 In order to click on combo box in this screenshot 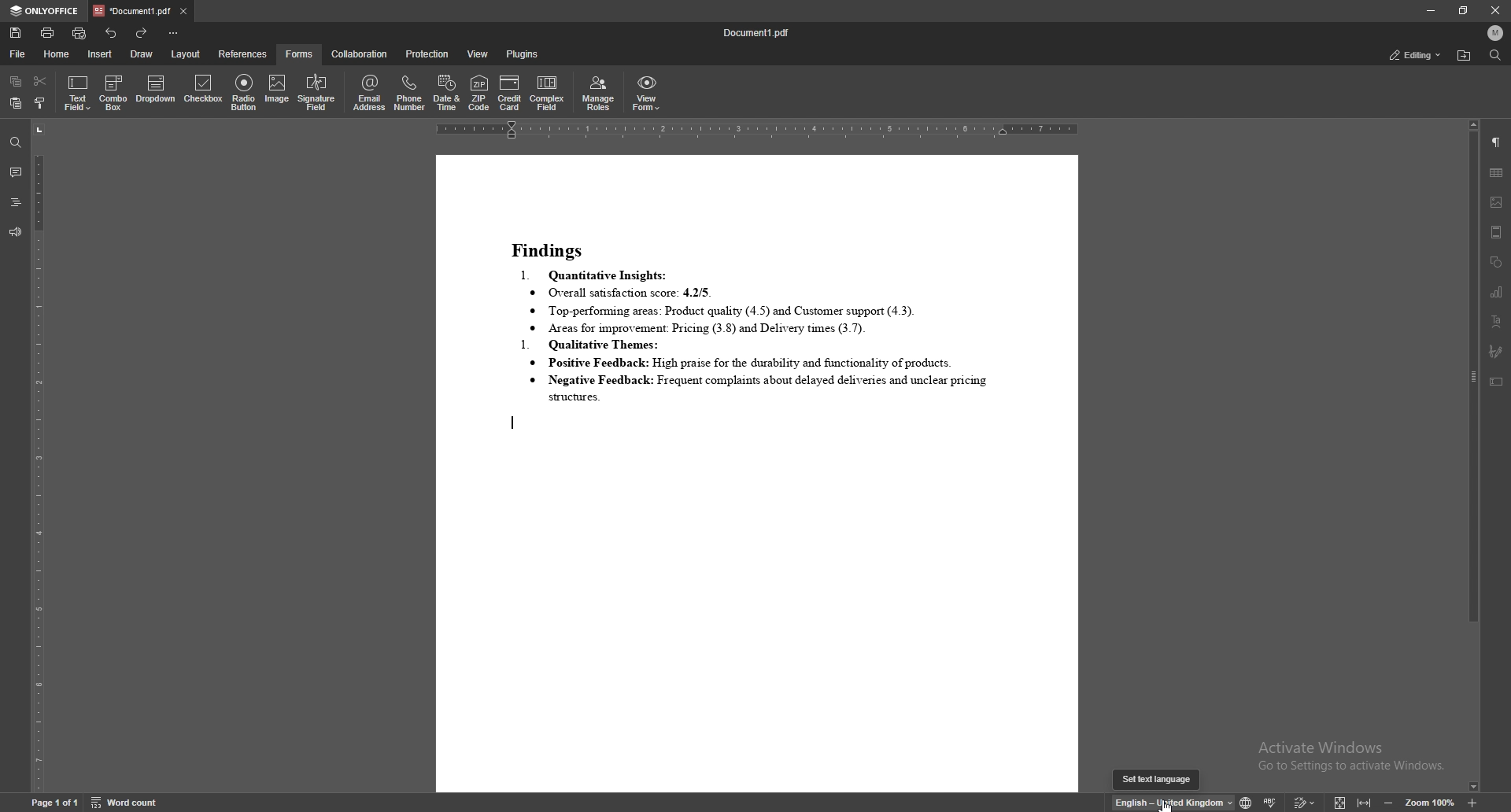, I will do `click(114, 92)`.